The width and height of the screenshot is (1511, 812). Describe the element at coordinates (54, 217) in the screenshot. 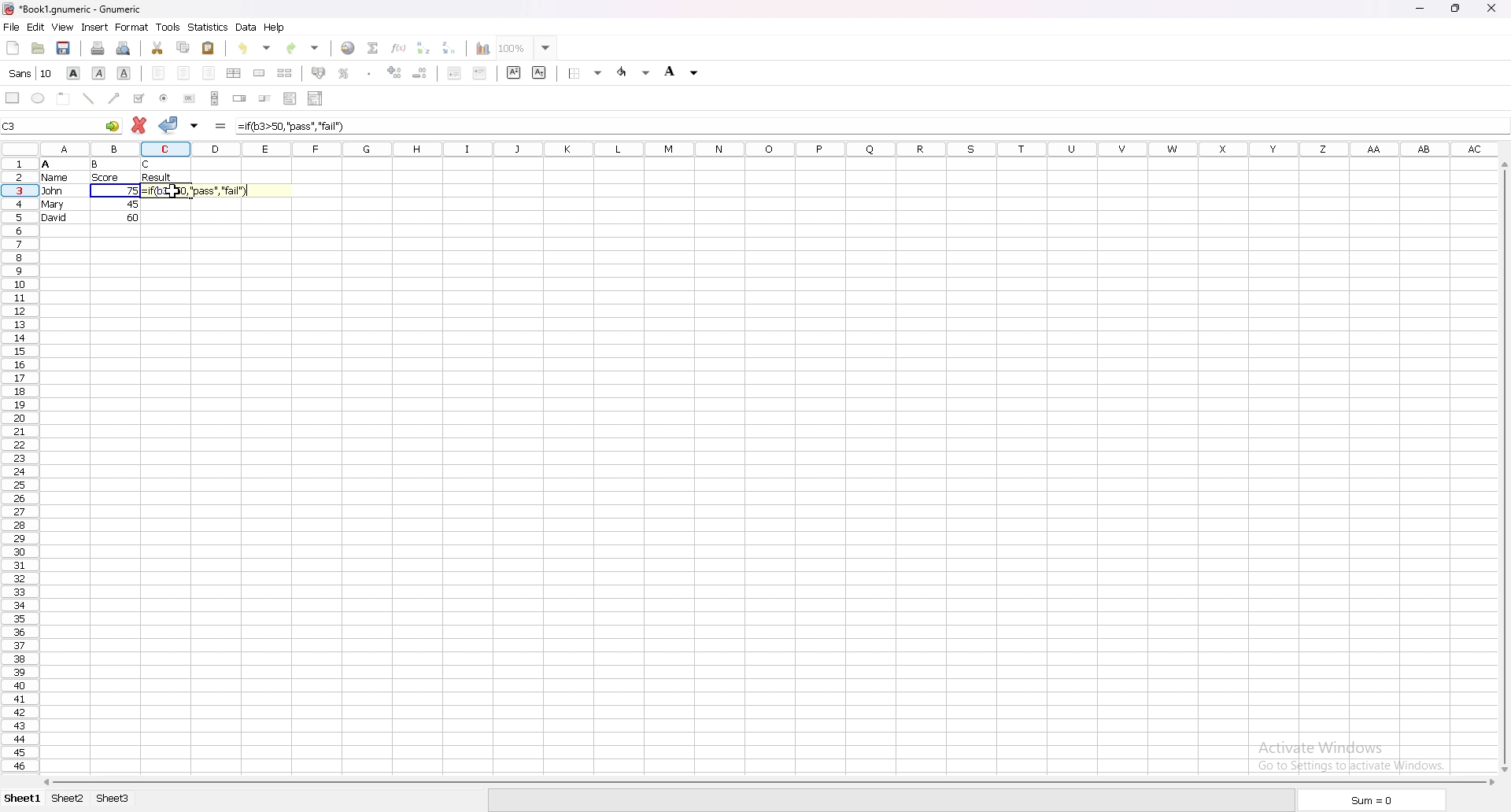

I see `david` at that location.